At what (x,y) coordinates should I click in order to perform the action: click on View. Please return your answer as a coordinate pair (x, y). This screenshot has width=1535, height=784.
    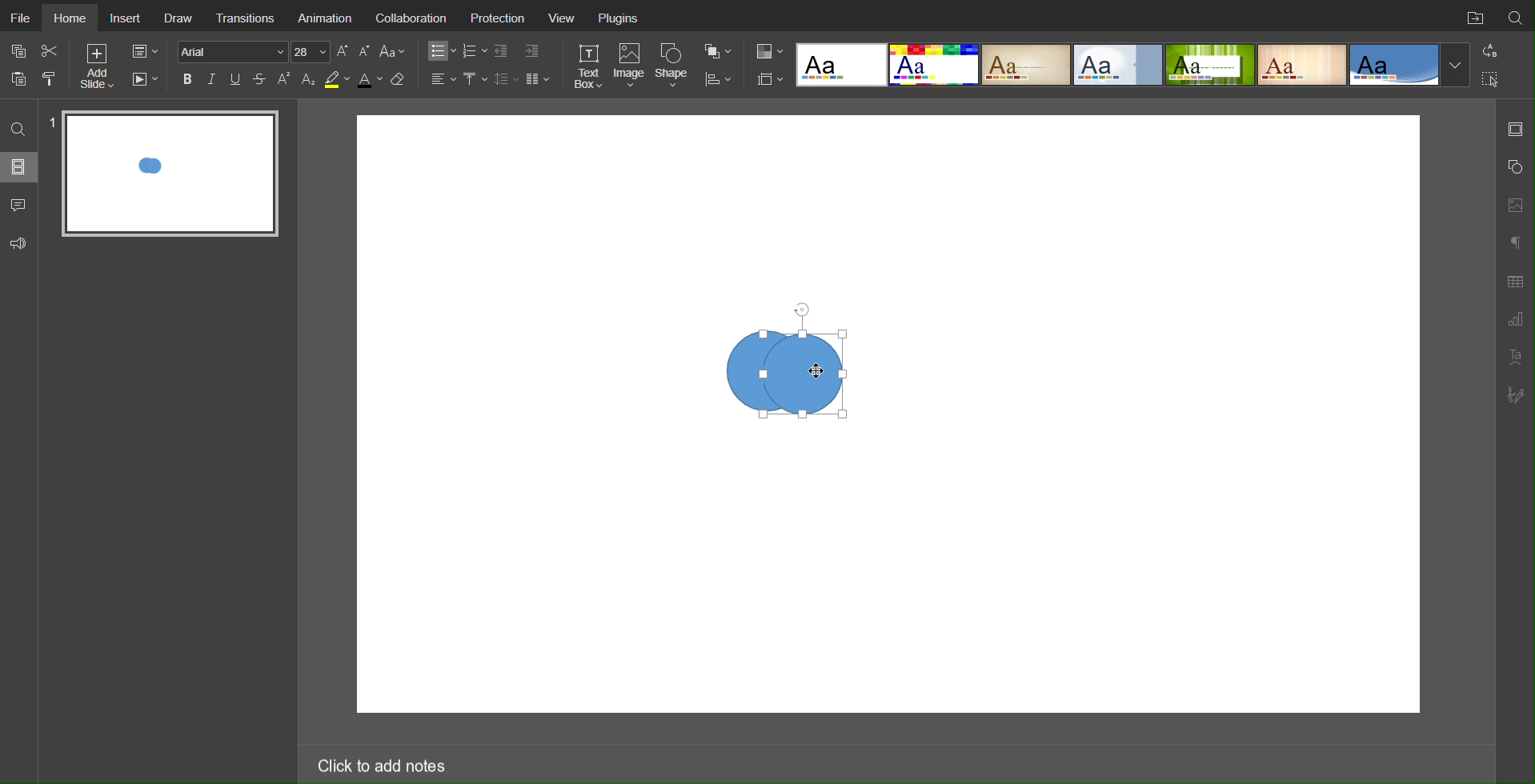
    Looking at the image, I should click on (567, 20).